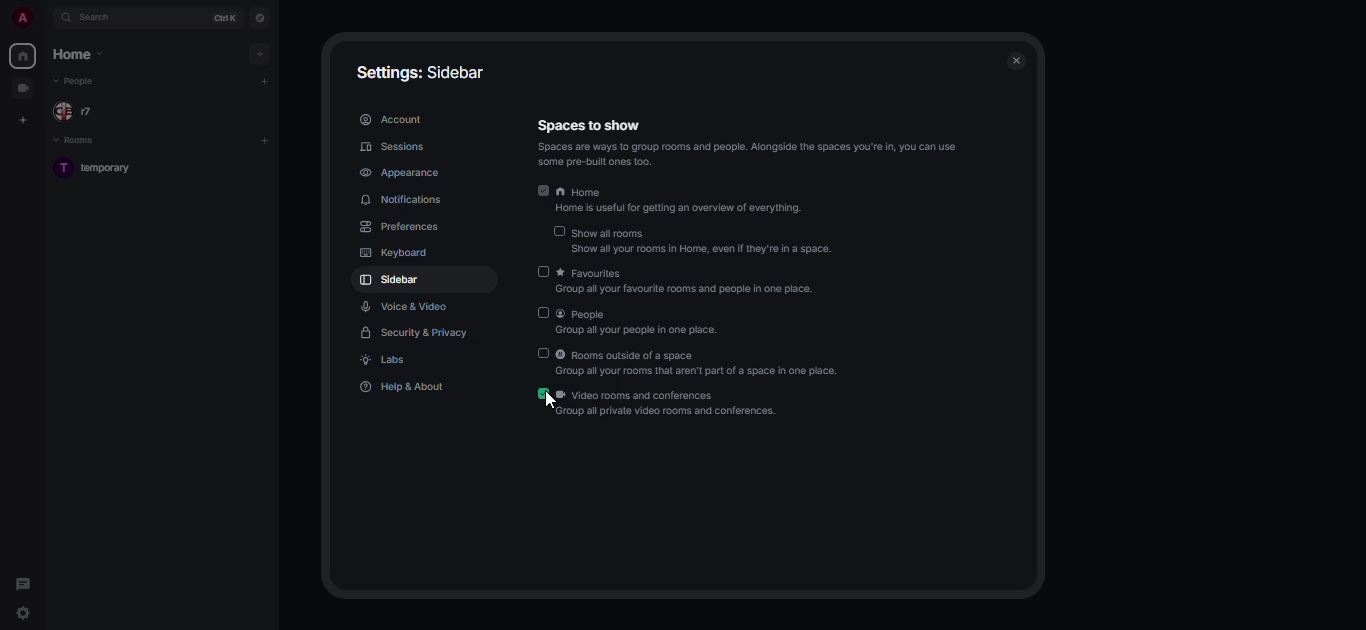  What do you see at coordinates (403, 171) in the screenshot?
I see `appearance` at bounding box center [403, 171].